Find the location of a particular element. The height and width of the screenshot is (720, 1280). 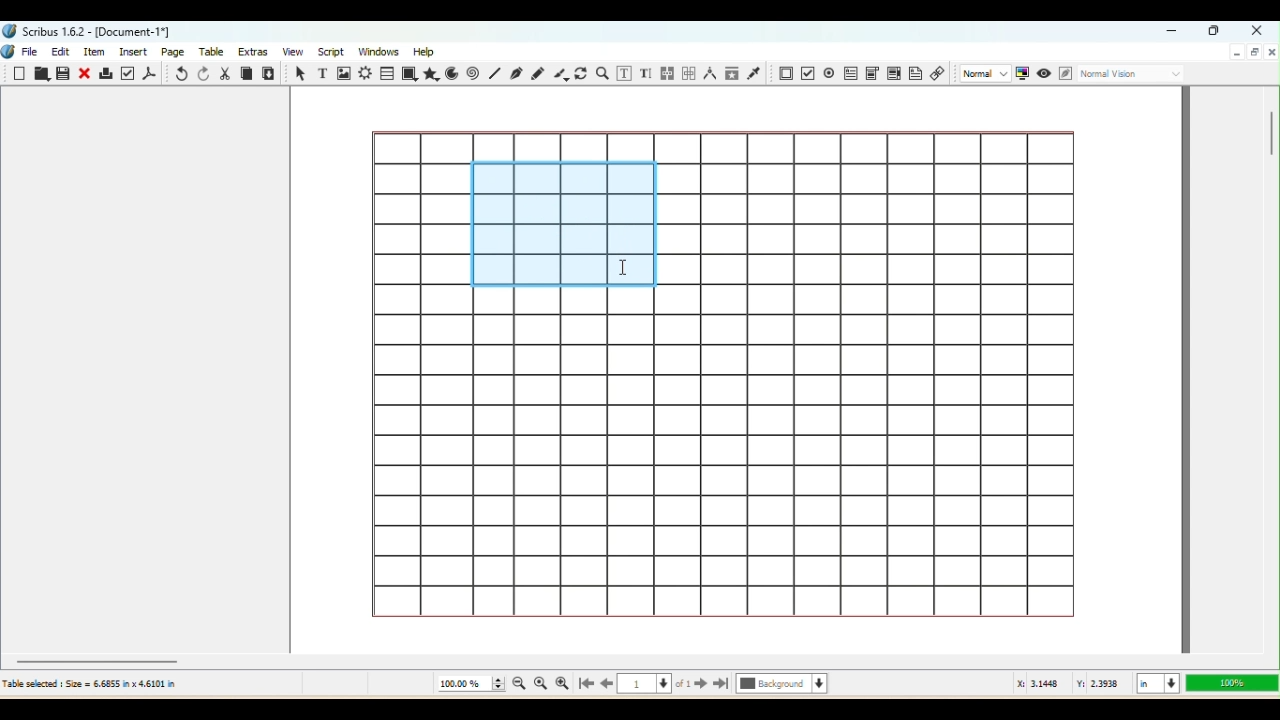

Preview mode is located at coordinates (1043, 72).